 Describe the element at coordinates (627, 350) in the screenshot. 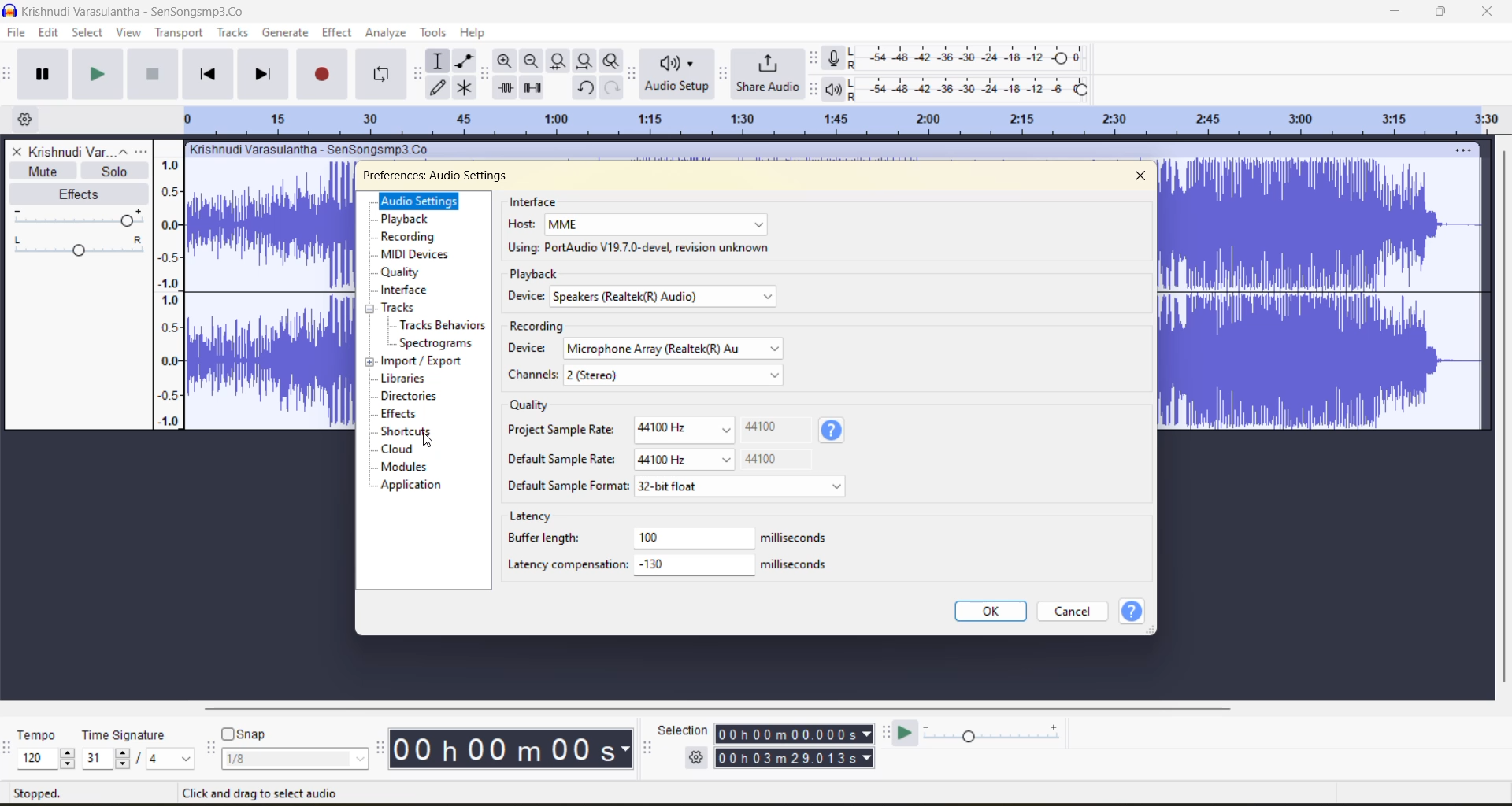

I see `© 2°" | Device Microphone Array (Realtek(R) Auie` at that location.